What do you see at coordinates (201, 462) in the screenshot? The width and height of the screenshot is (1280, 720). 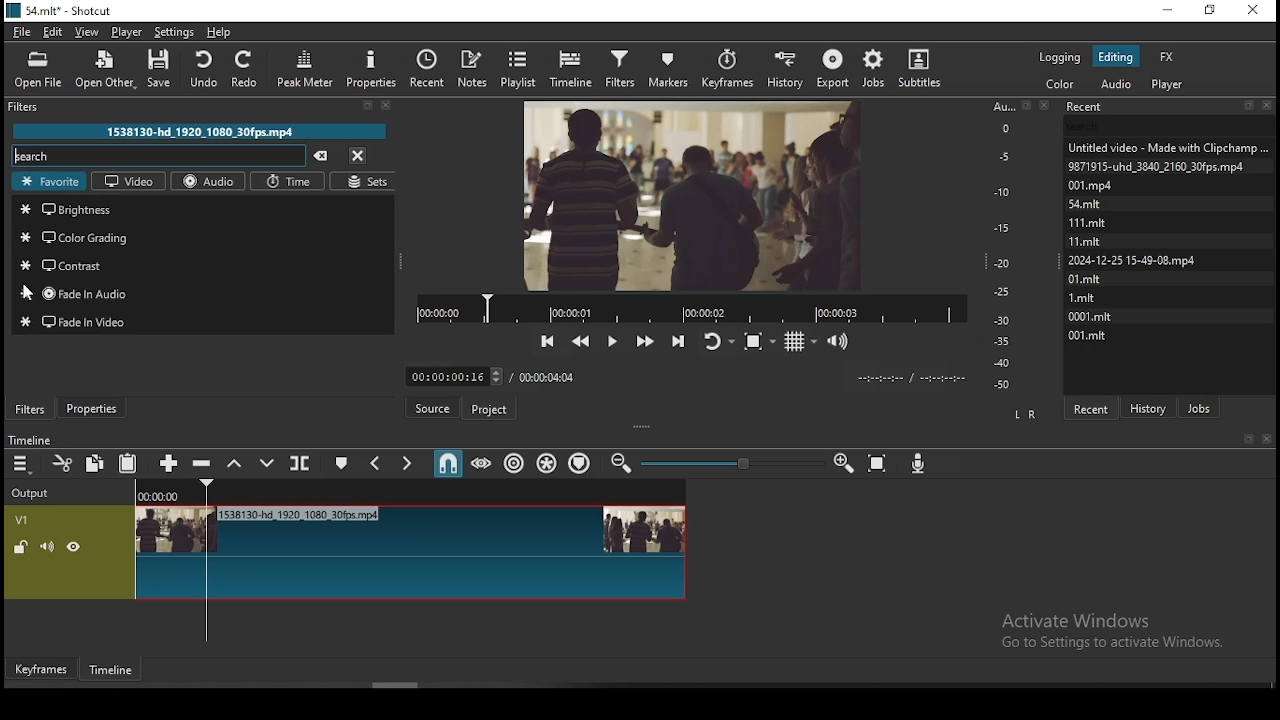 I see `ripple delete` at bounding box center [201, 462].